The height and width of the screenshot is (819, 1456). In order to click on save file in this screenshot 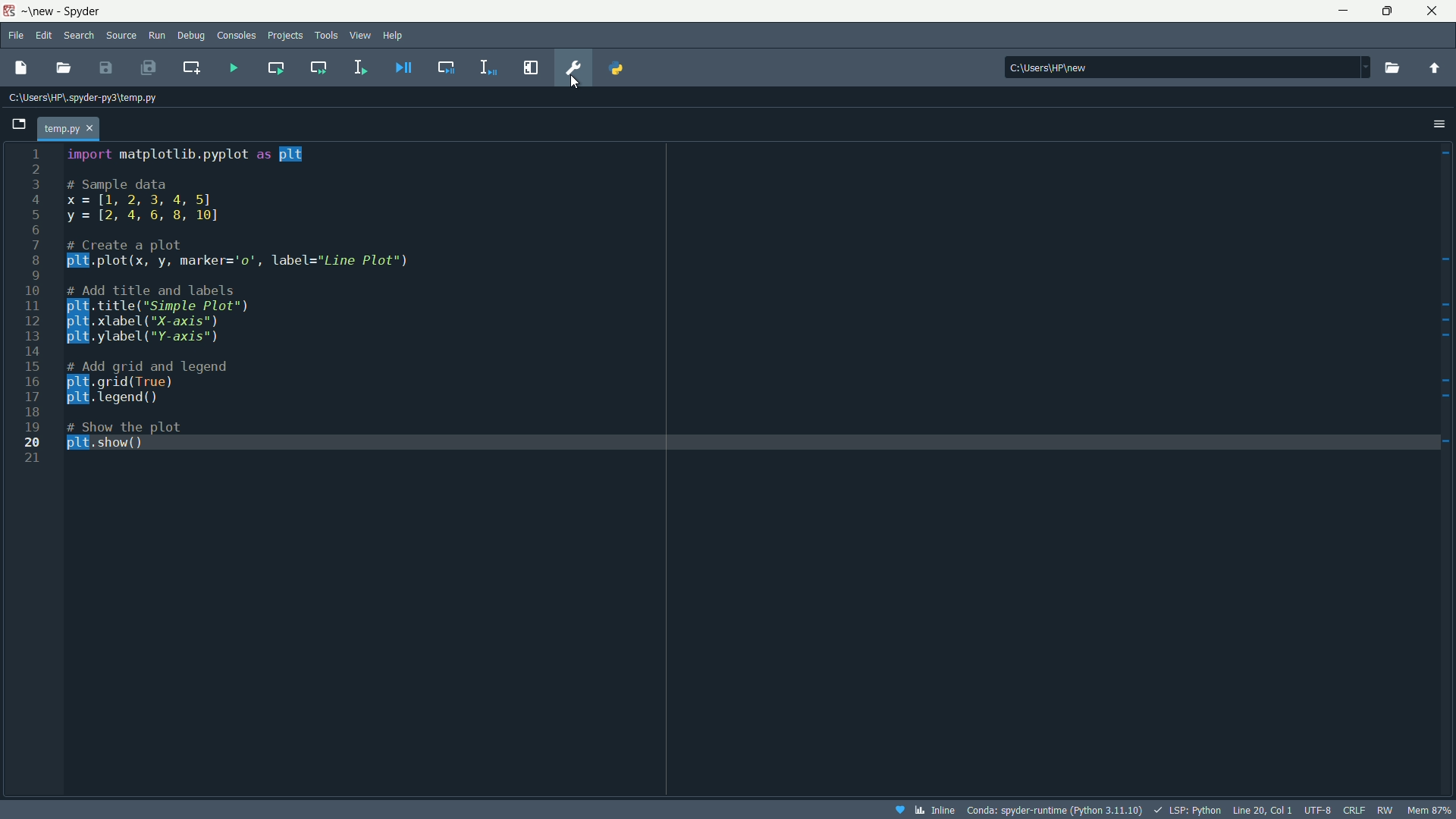, I will do `click(106, 67)`.